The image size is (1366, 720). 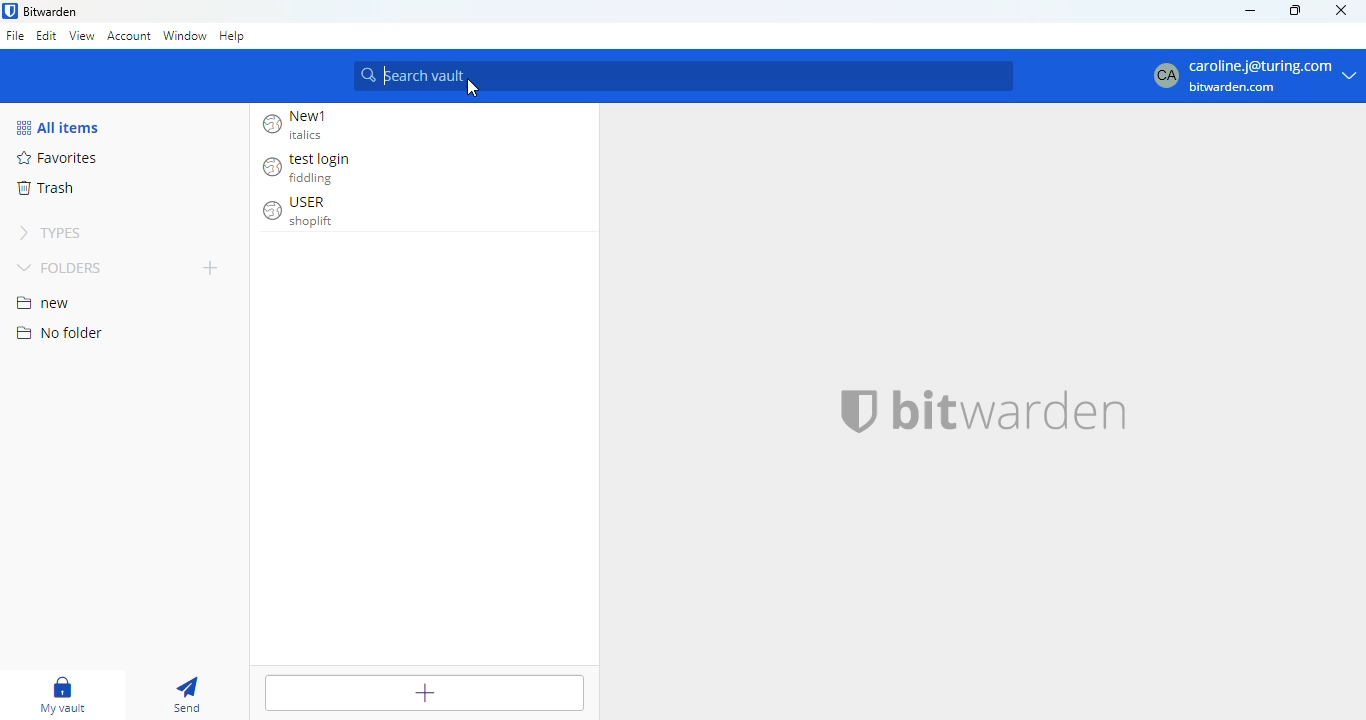 What do you see at coordinates (305, 212) in the screenshot?
I see `USER   shoplift` at bounding box center [305, 212].